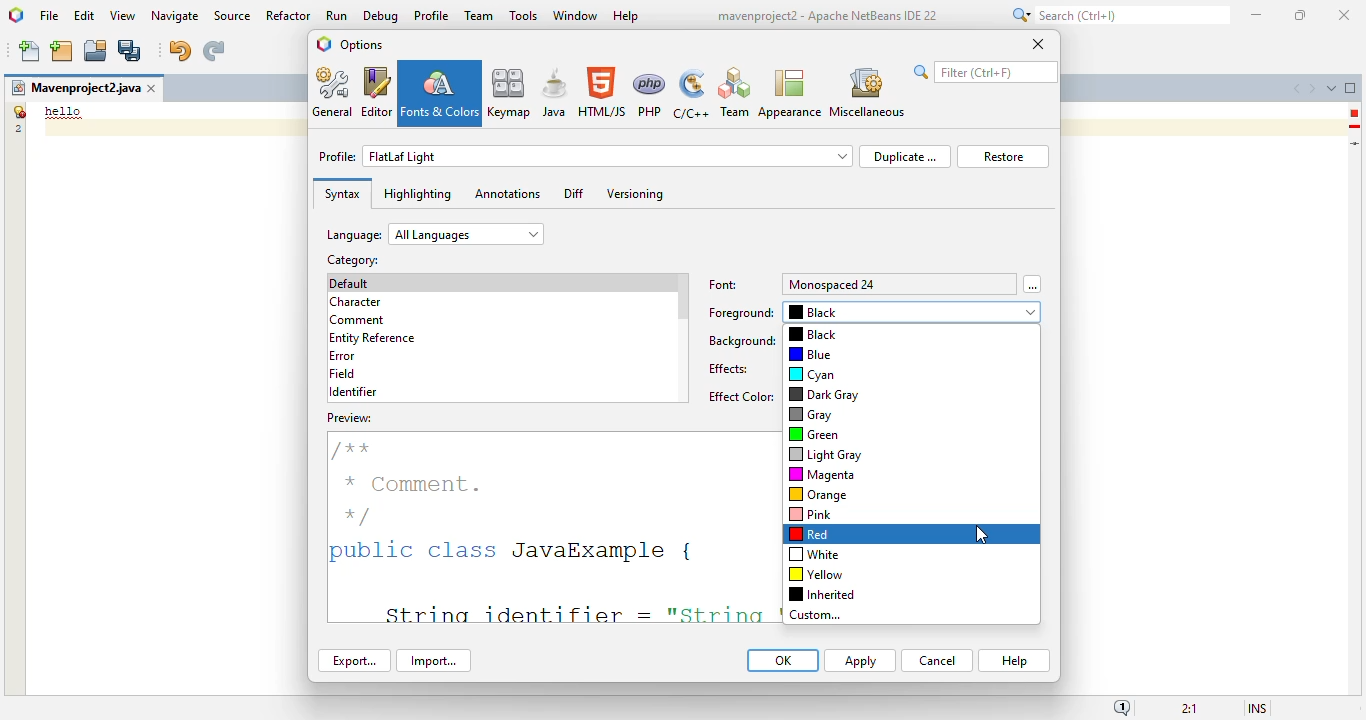 Image resolution: width=1366 pixels, height=720 pixels. What do you see at coordinates (826, 455) in the screenshot?
I see `light gray` at bounding box center [826, 455].